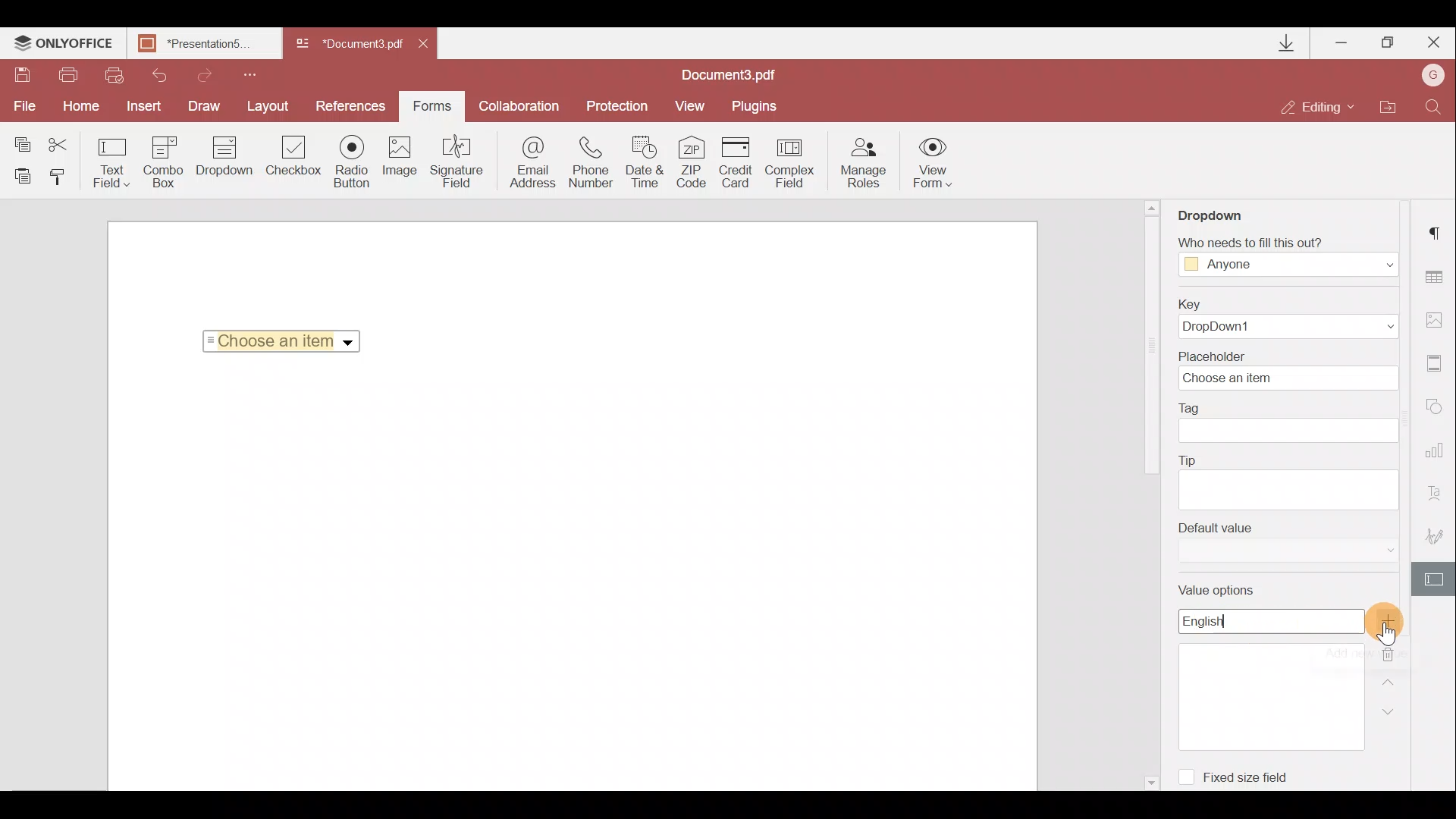  Describe the element at coordinates (792, 162) in the screenshot. I see `Complex field` at that location.